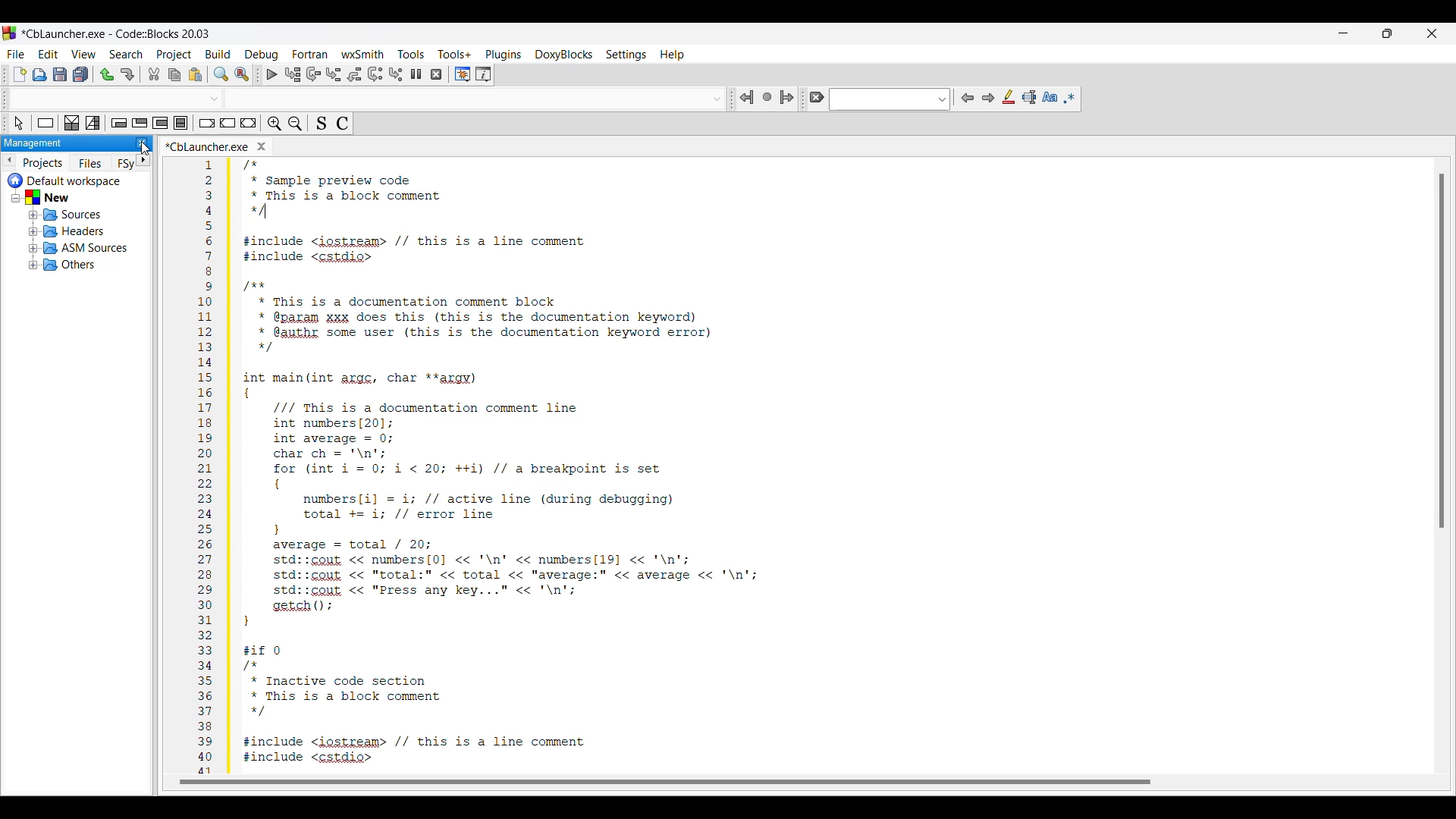 The image size is (1456, 819). I want to click on Fortran menu, so click(309, 54).